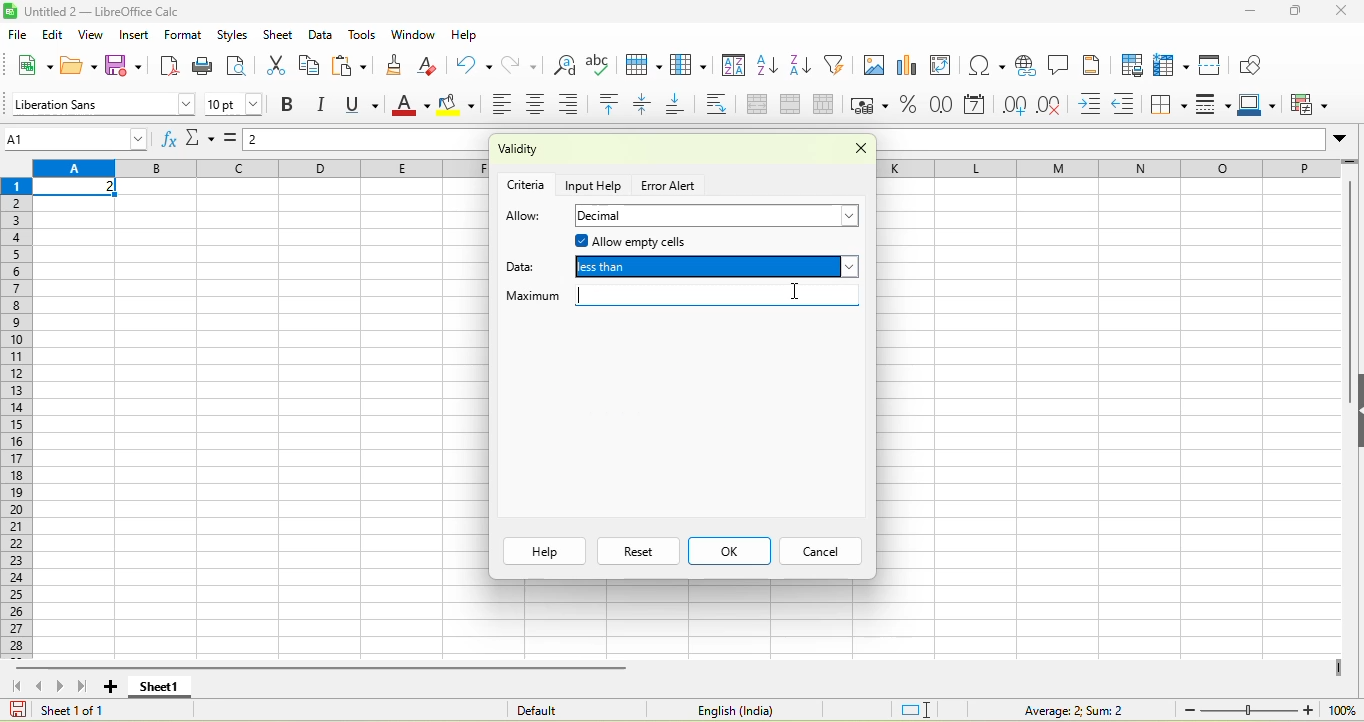 This screenshot has height=722, width=1364. What do you see at coordinates (526, 64) in the screenshot?
I see `redo` at bounding box center [526, 64].